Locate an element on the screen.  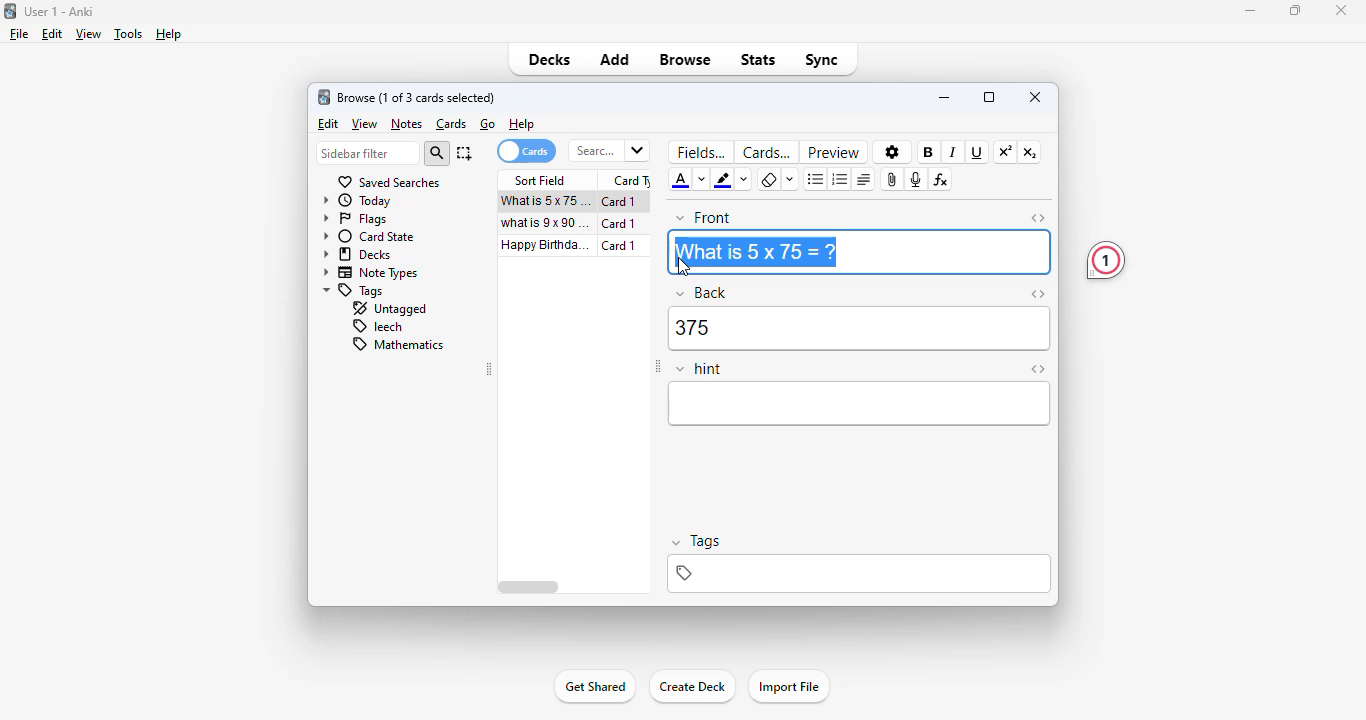
editor is located at coordinates (860, 404).